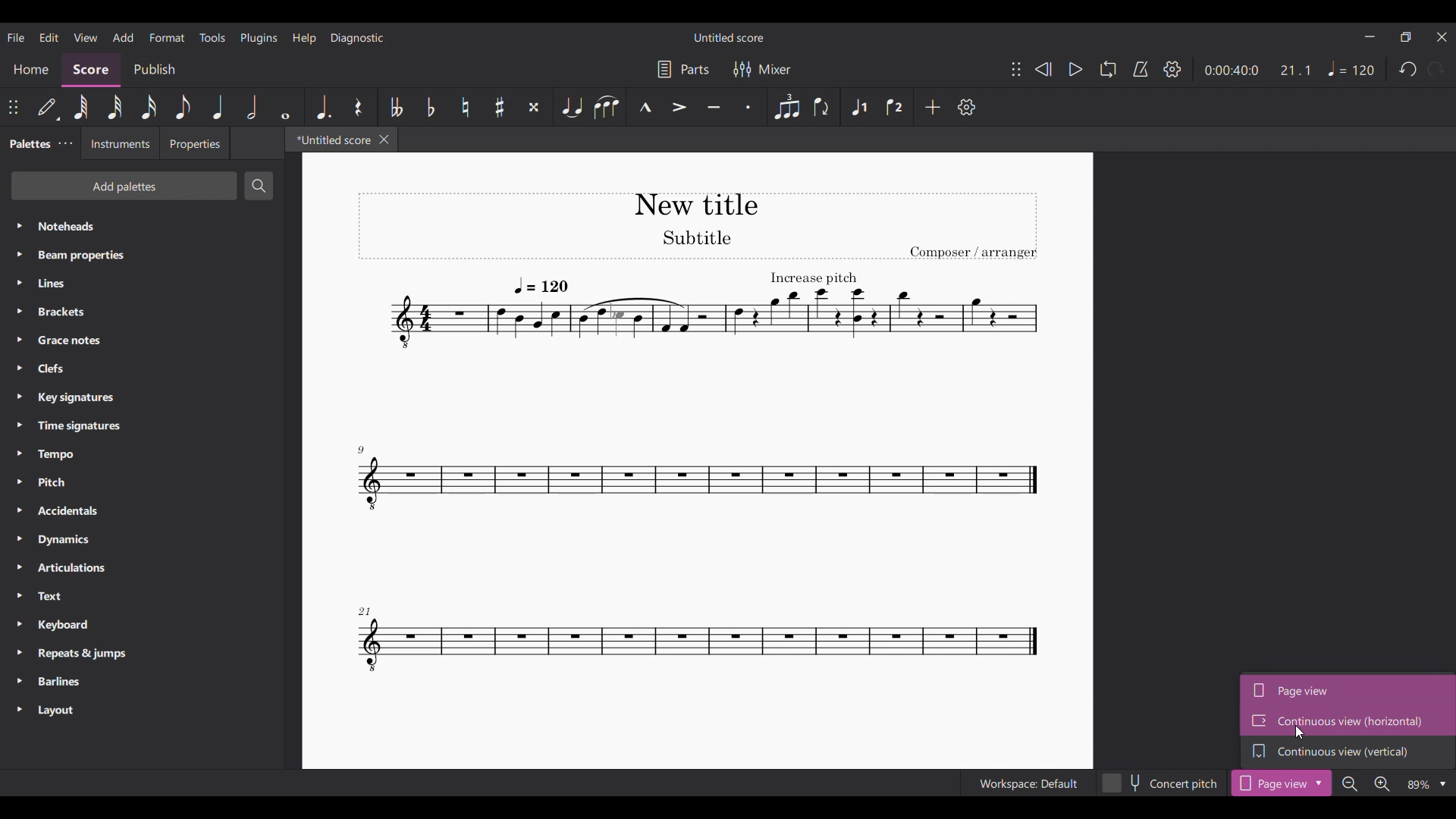 The width and height of the screenshot is (1456, 819). What do you see at coordinates (465, 107) in the screenshot?
I see `Toggle natural` at bounding box center [465, 107].